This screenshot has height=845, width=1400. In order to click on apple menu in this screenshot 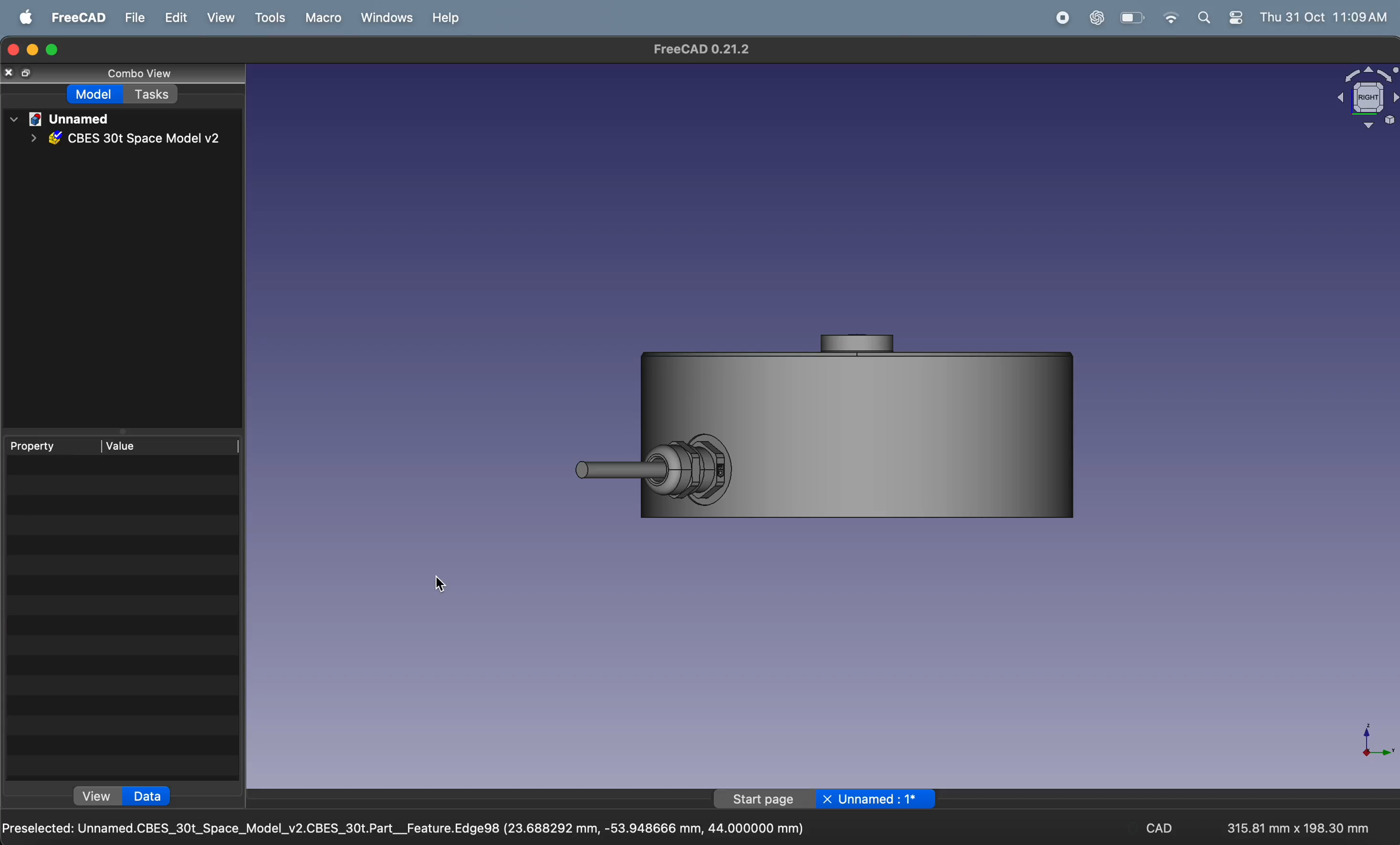, I will do `click(21, 16)`.